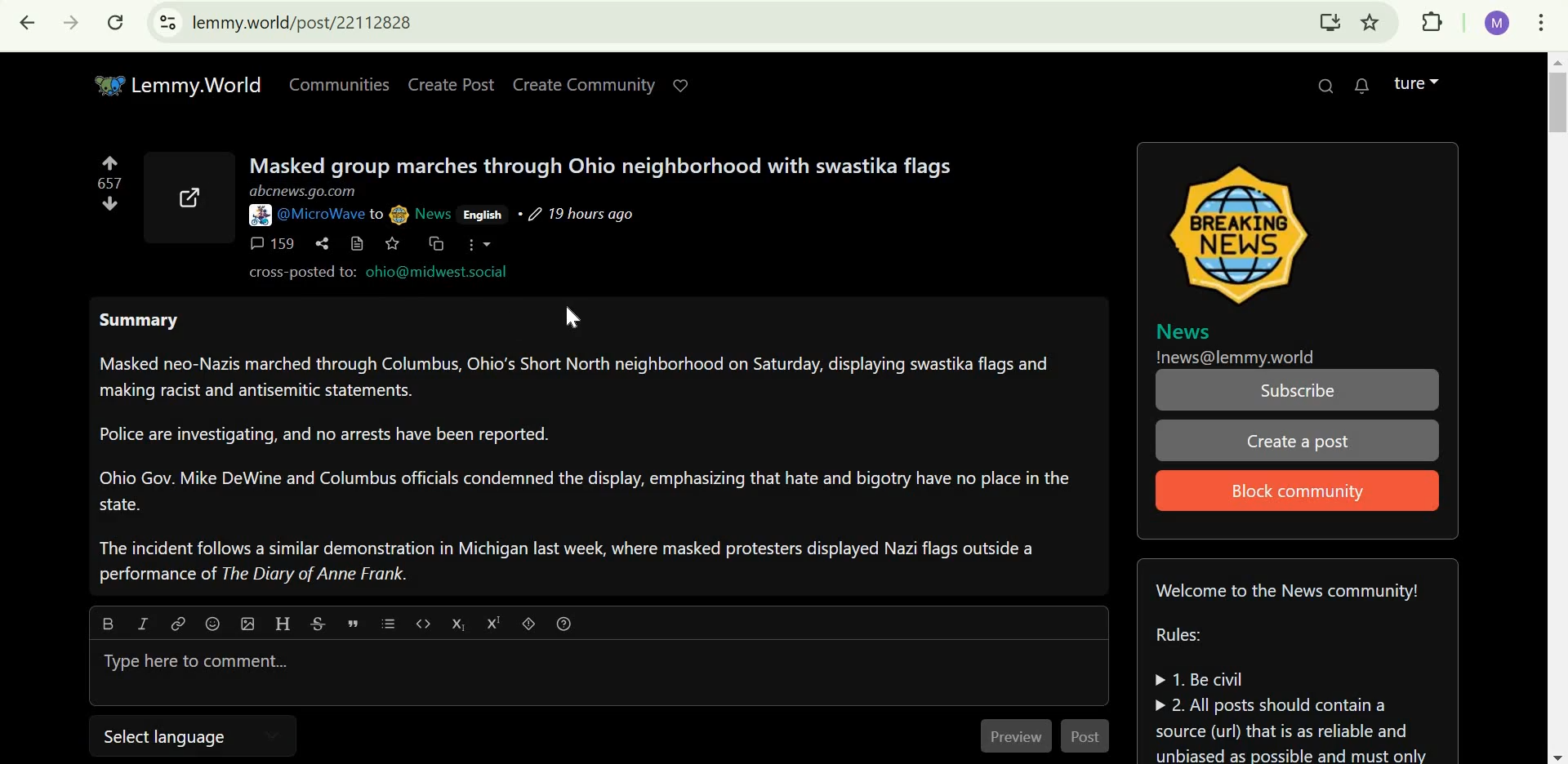 The width and height of the screenshot is (1568, 764). What do you see at coordinates (284, 623) in the screenshot?
I see `Header` at bounding box center [284, 623].